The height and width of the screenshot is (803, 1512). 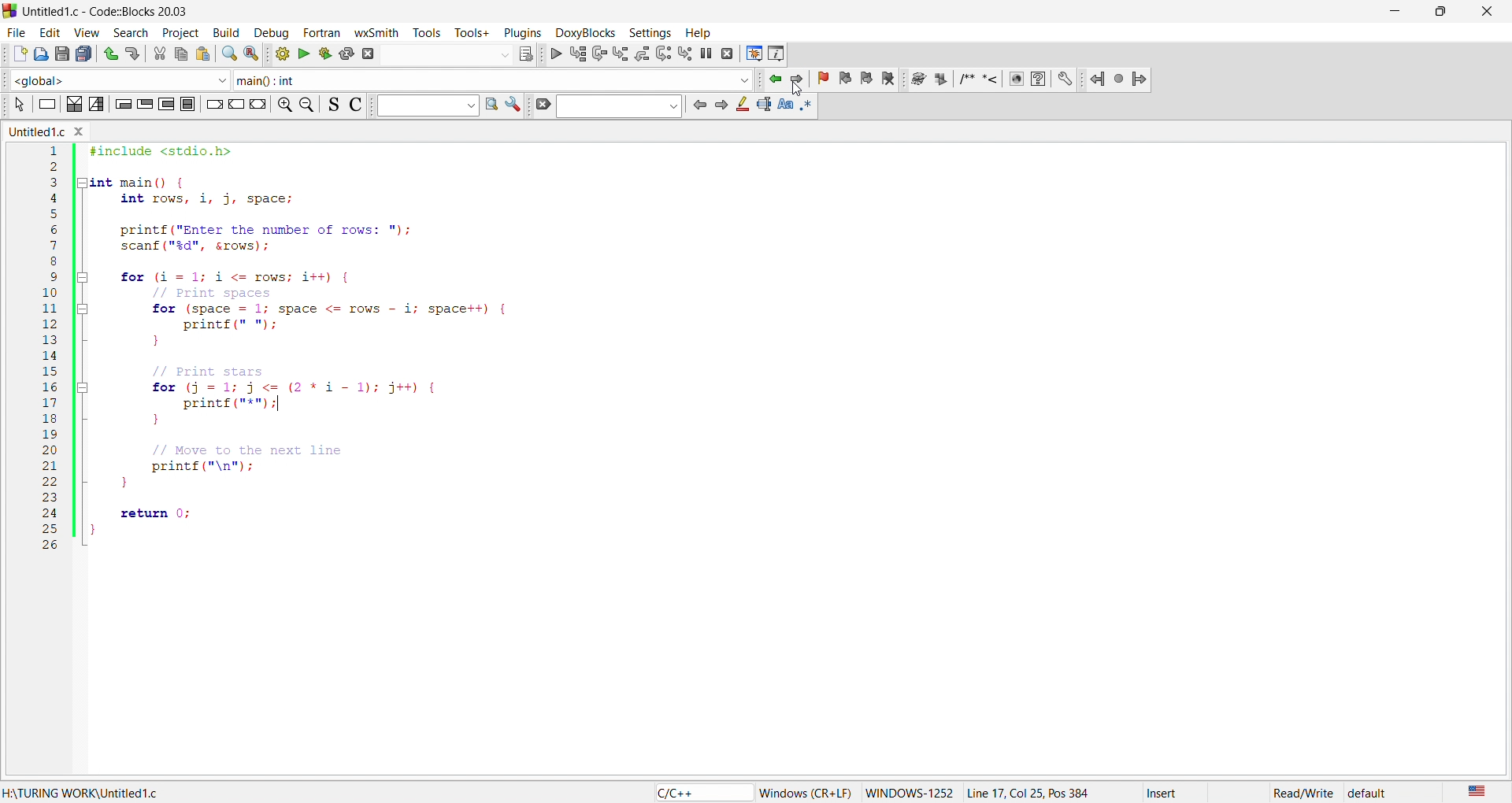 I want to click on doxyblocks, so click(x=586, y=31).